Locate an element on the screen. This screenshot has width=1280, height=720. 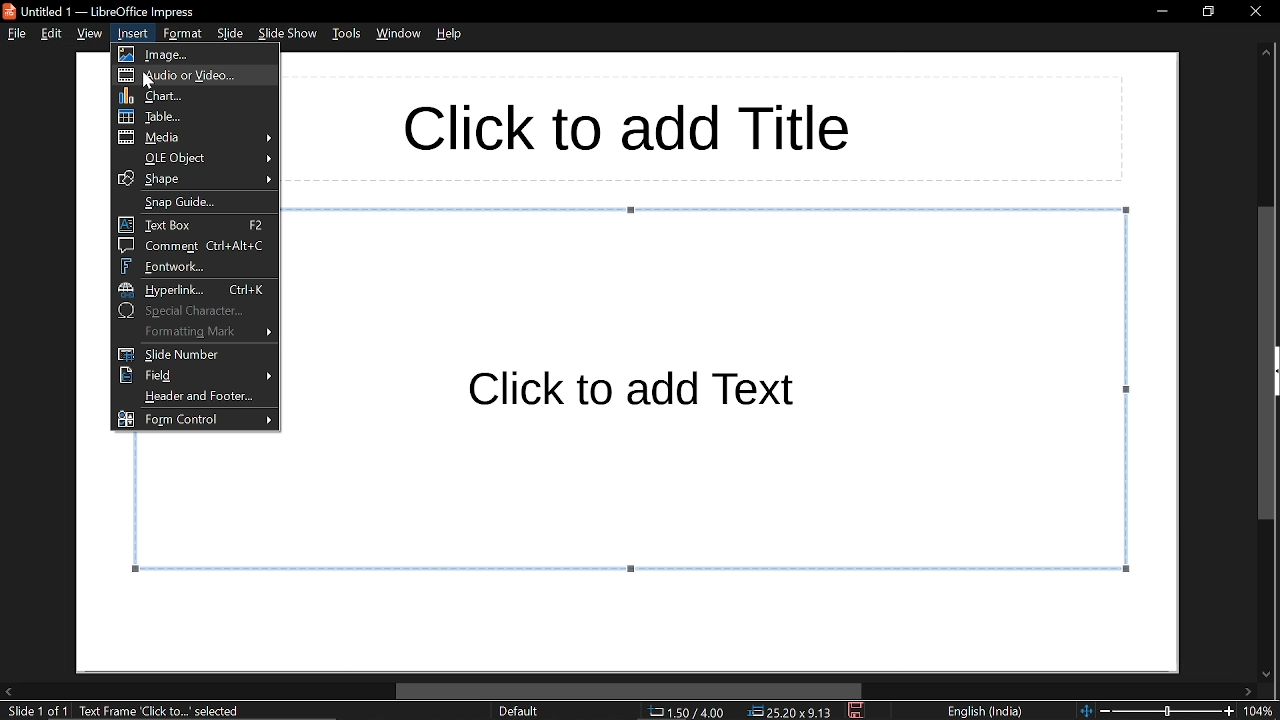
Image is located at coordinates (198, 53).